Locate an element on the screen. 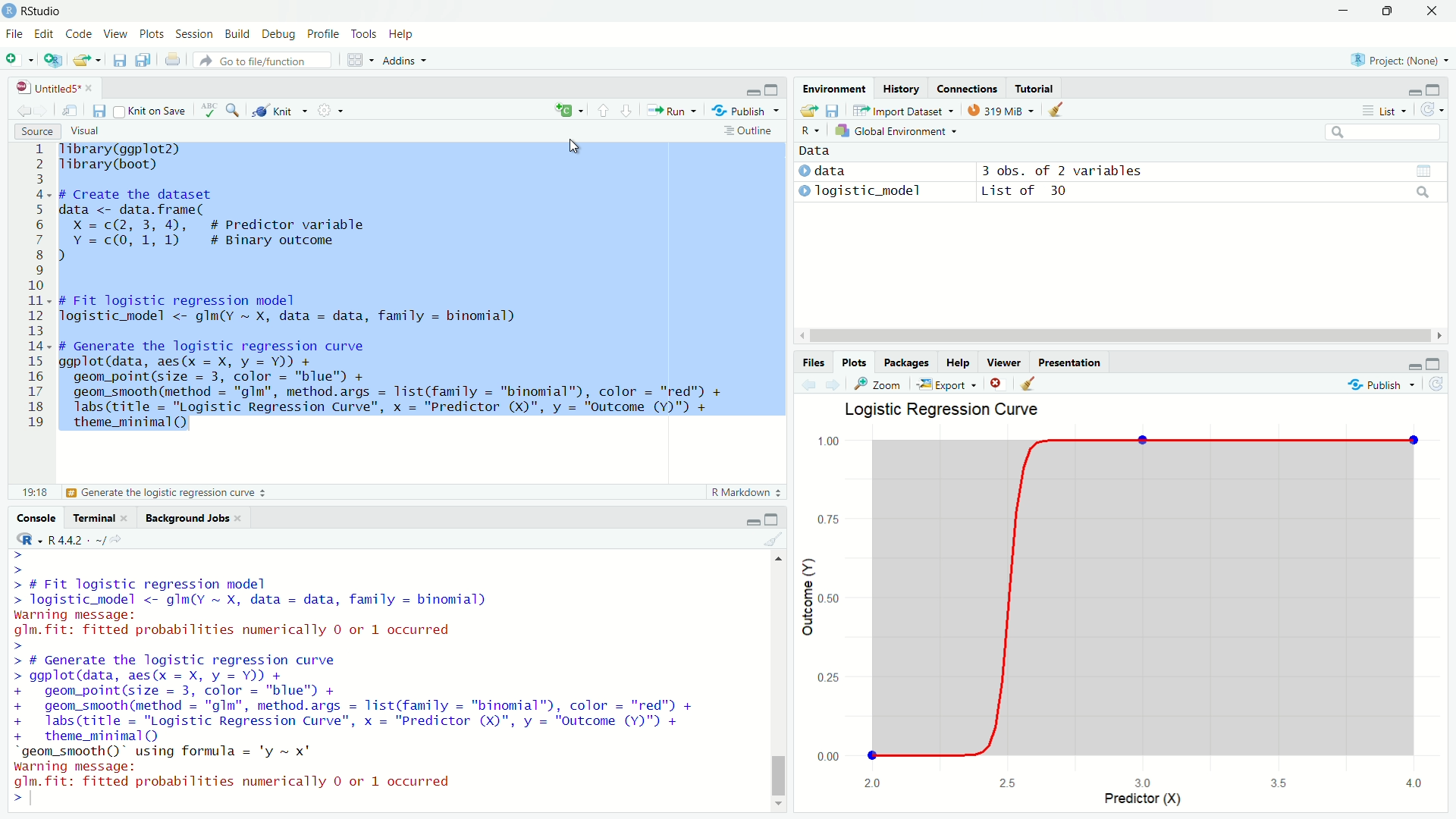 The width and height of the screenshot is (1456, 819). restore is located at coordinates (1389, 11).